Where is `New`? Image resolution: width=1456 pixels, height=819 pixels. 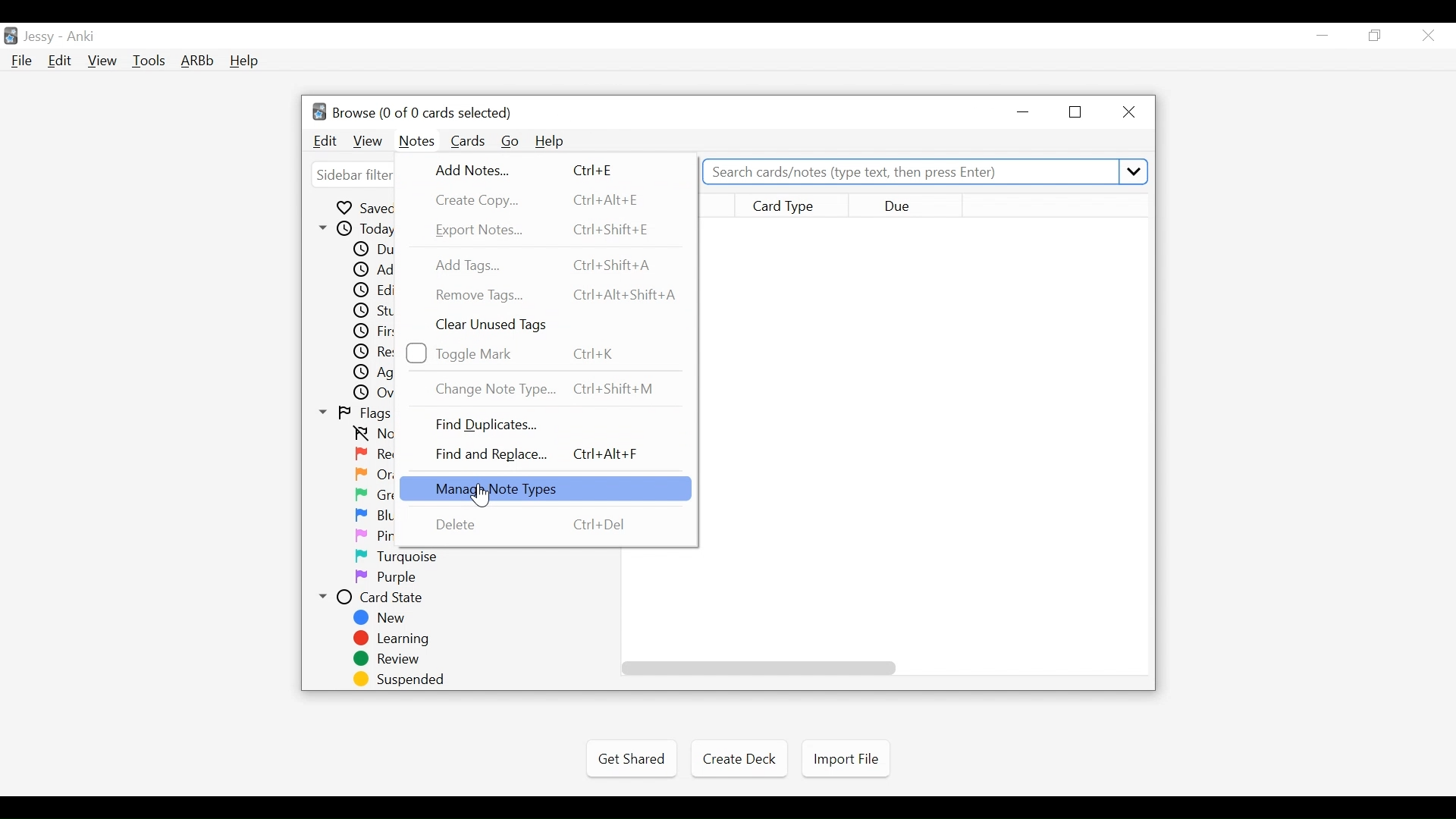
New is located at coordinates (381, 618).